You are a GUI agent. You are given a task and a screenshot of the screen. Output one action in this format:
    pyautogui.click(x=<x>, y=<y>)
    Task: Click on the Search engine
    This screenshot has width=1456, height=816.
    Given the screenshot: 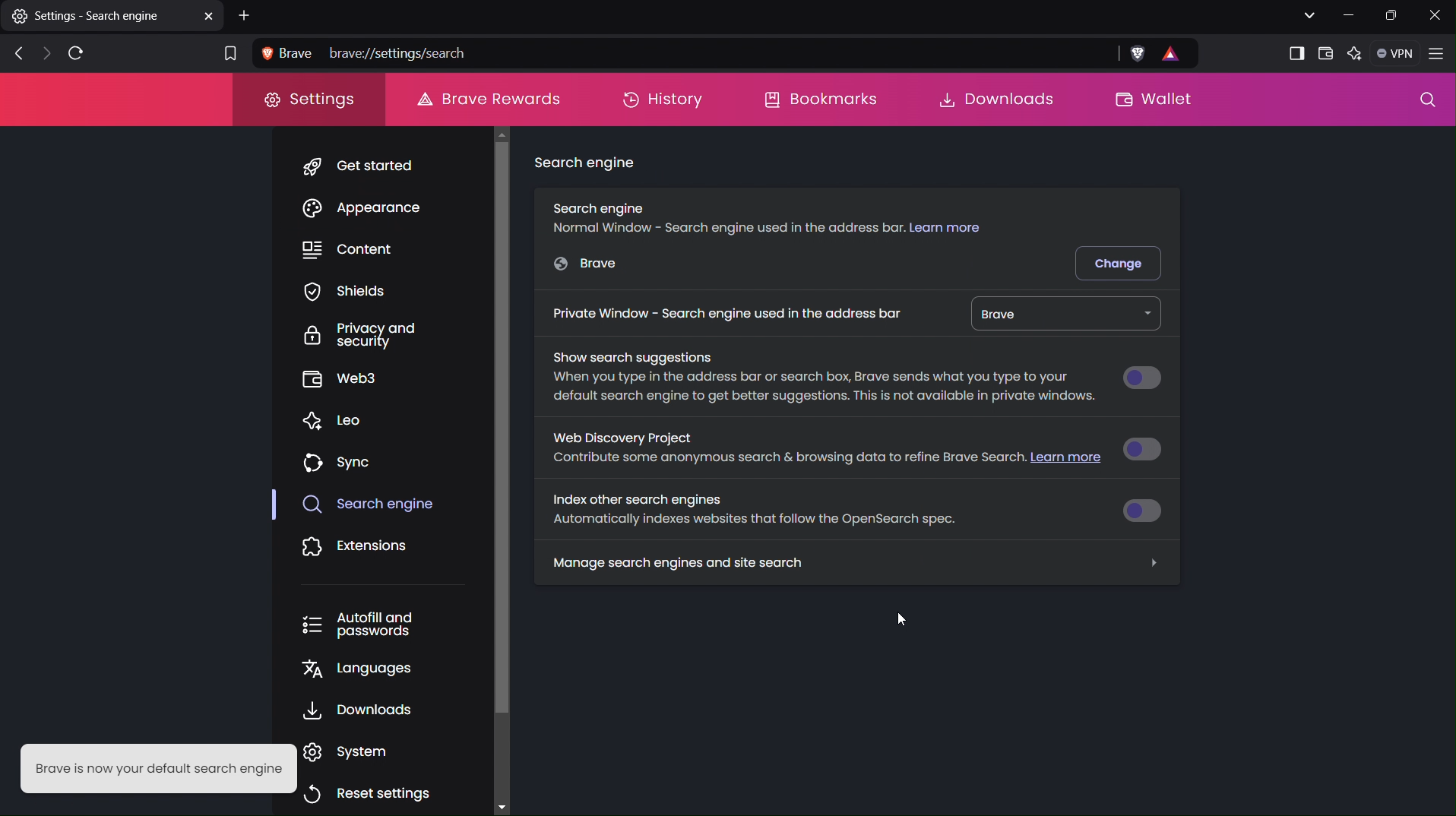 What is the action you would take?
    pyautogui.click(x=587, y=166)
    